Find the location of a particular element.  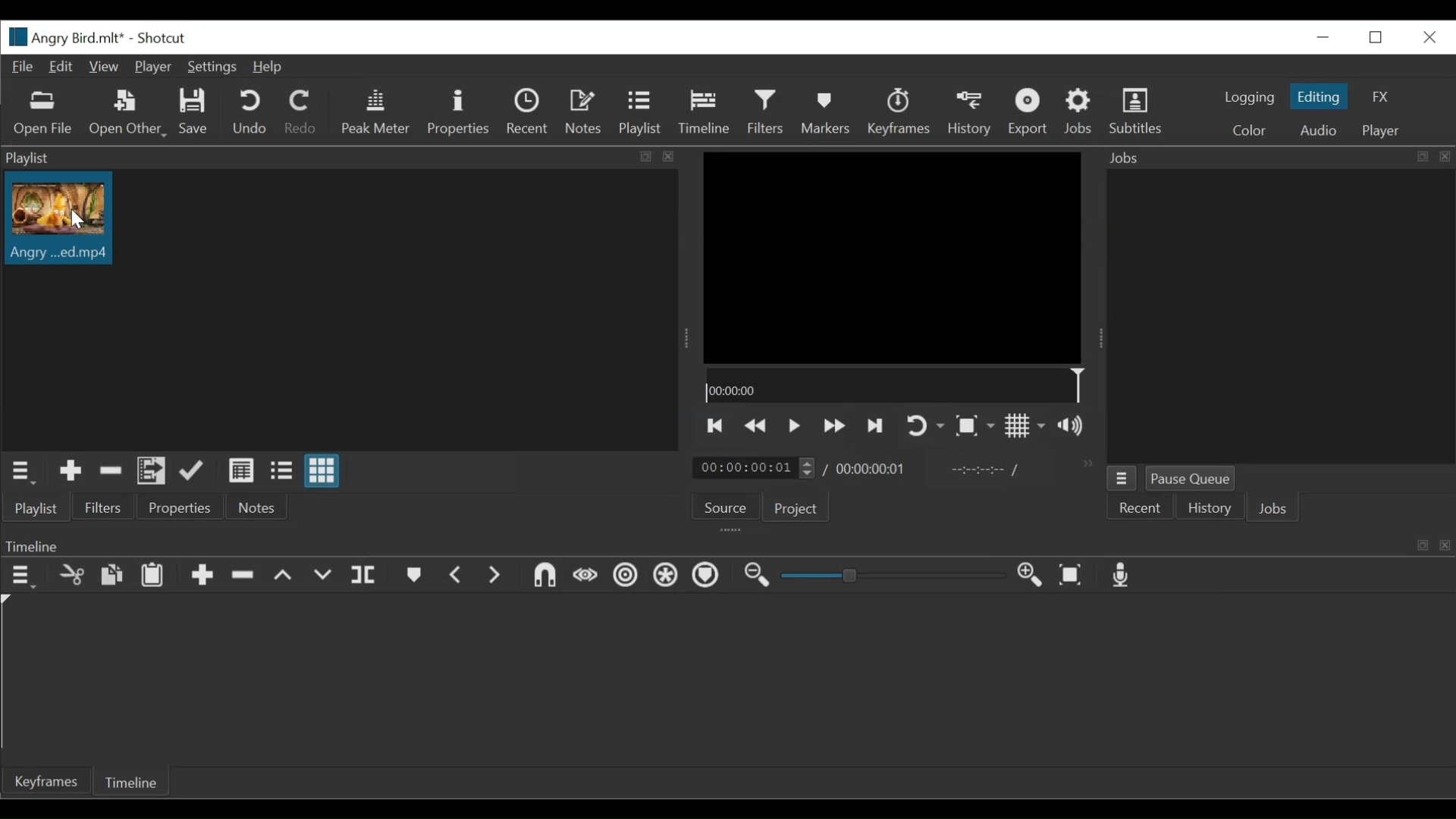

jobs menu is located at coordinates (1121, 479).